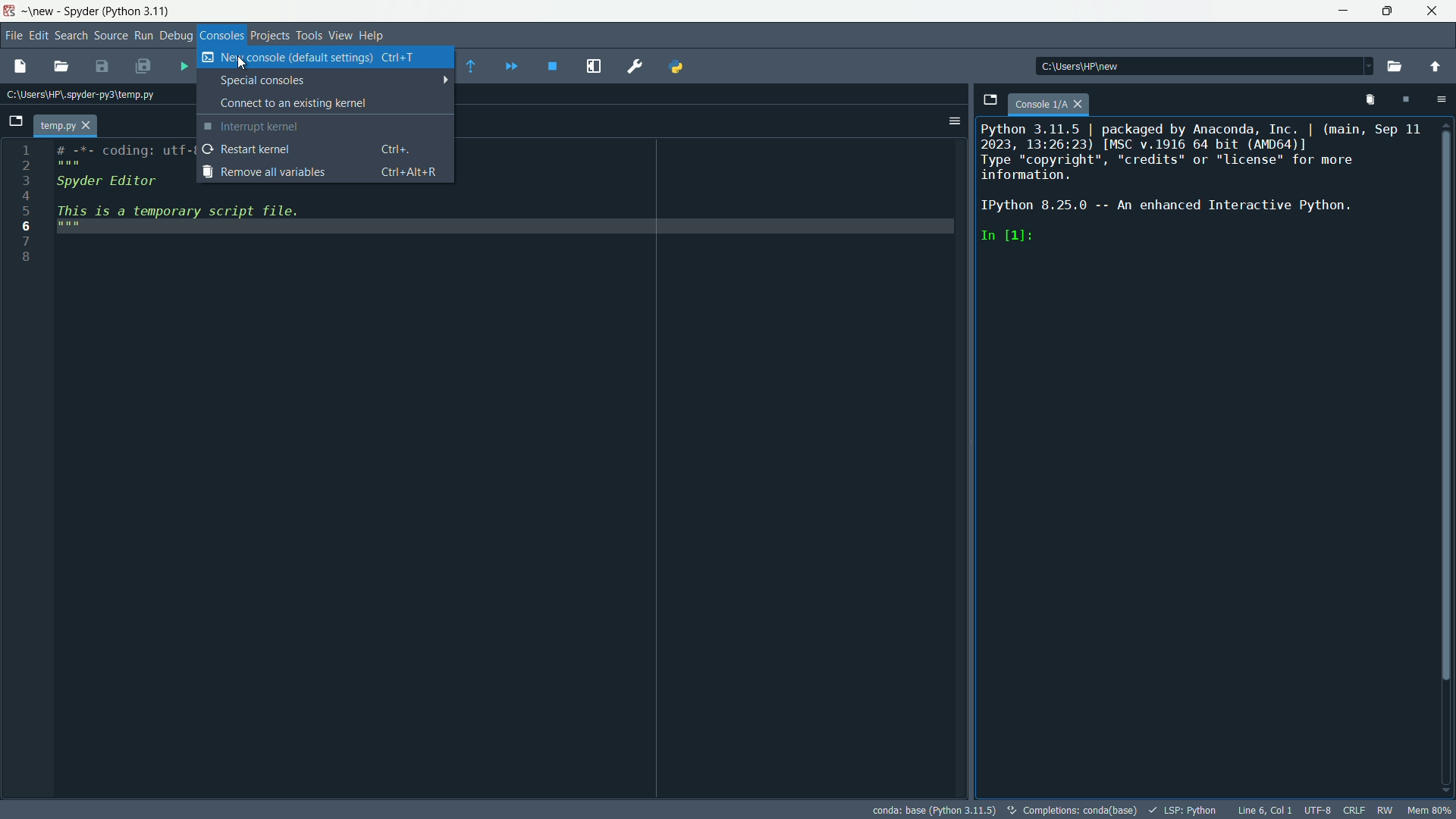 The height and width of the screenshot is (819, 1456). I want to click on maximize, so click(1384, 12).